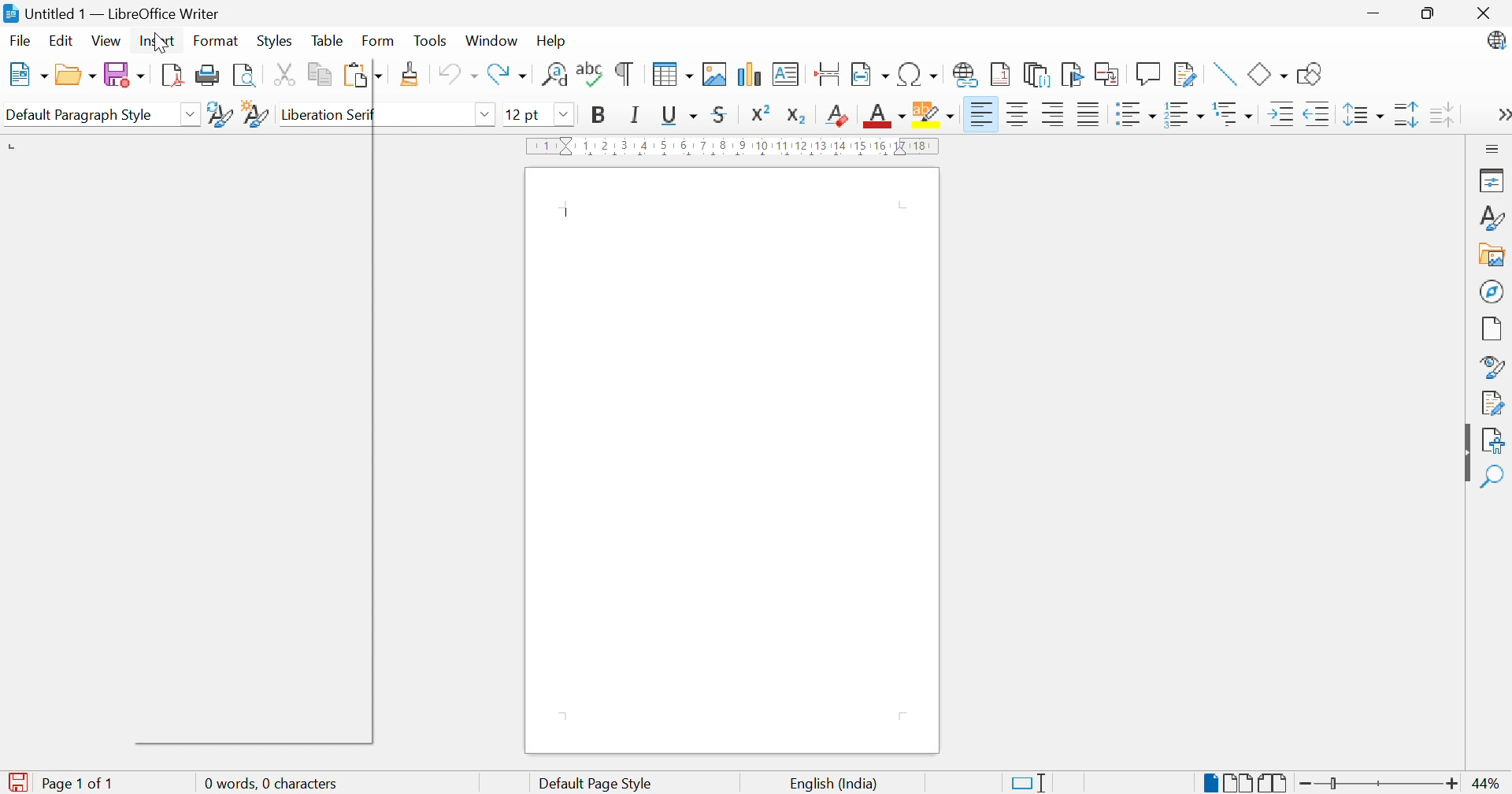  Describe the element at coordinates (1491, 366) in the screenshot. I see `Style` at that location.